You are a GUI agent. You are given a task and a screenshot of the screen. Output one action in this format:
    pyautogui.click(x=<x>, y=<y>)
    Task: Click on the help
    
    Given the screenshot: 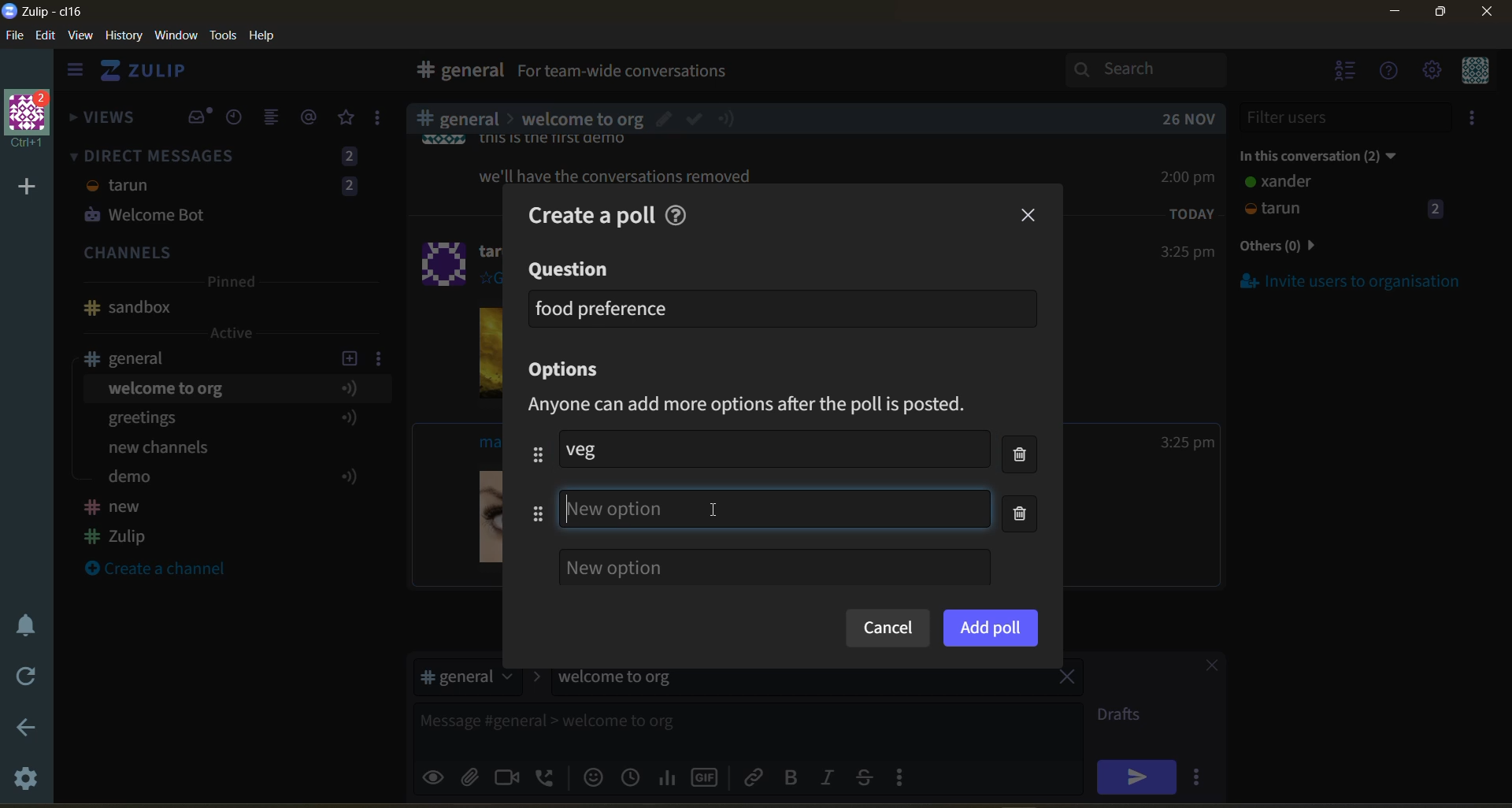 What is the action you would take?
    pyautogui.click(x=680, y=213)
    